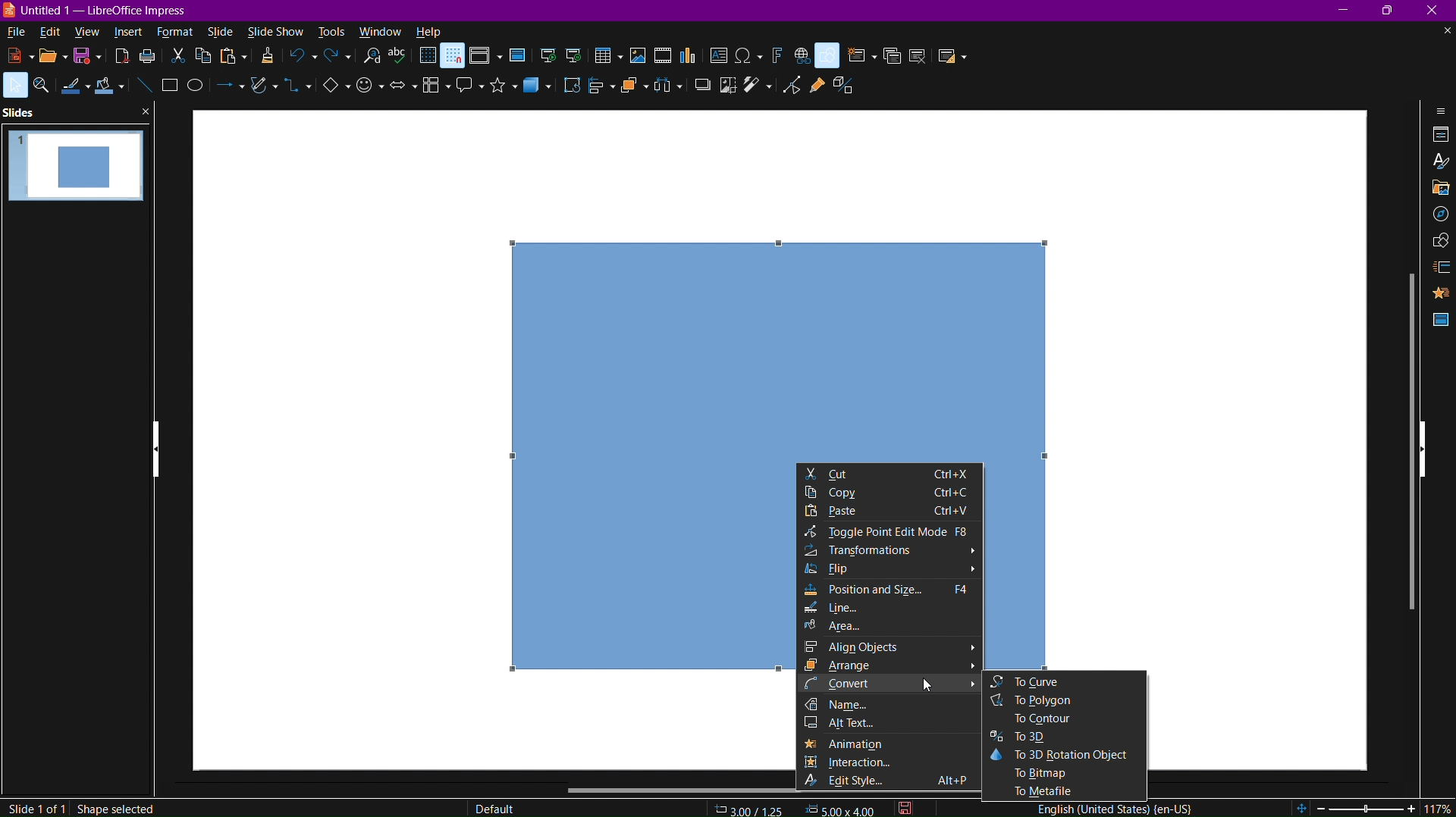 The width and height of the screenshot is (1456, 817). I want to click on New Slide, so click(859, 56).